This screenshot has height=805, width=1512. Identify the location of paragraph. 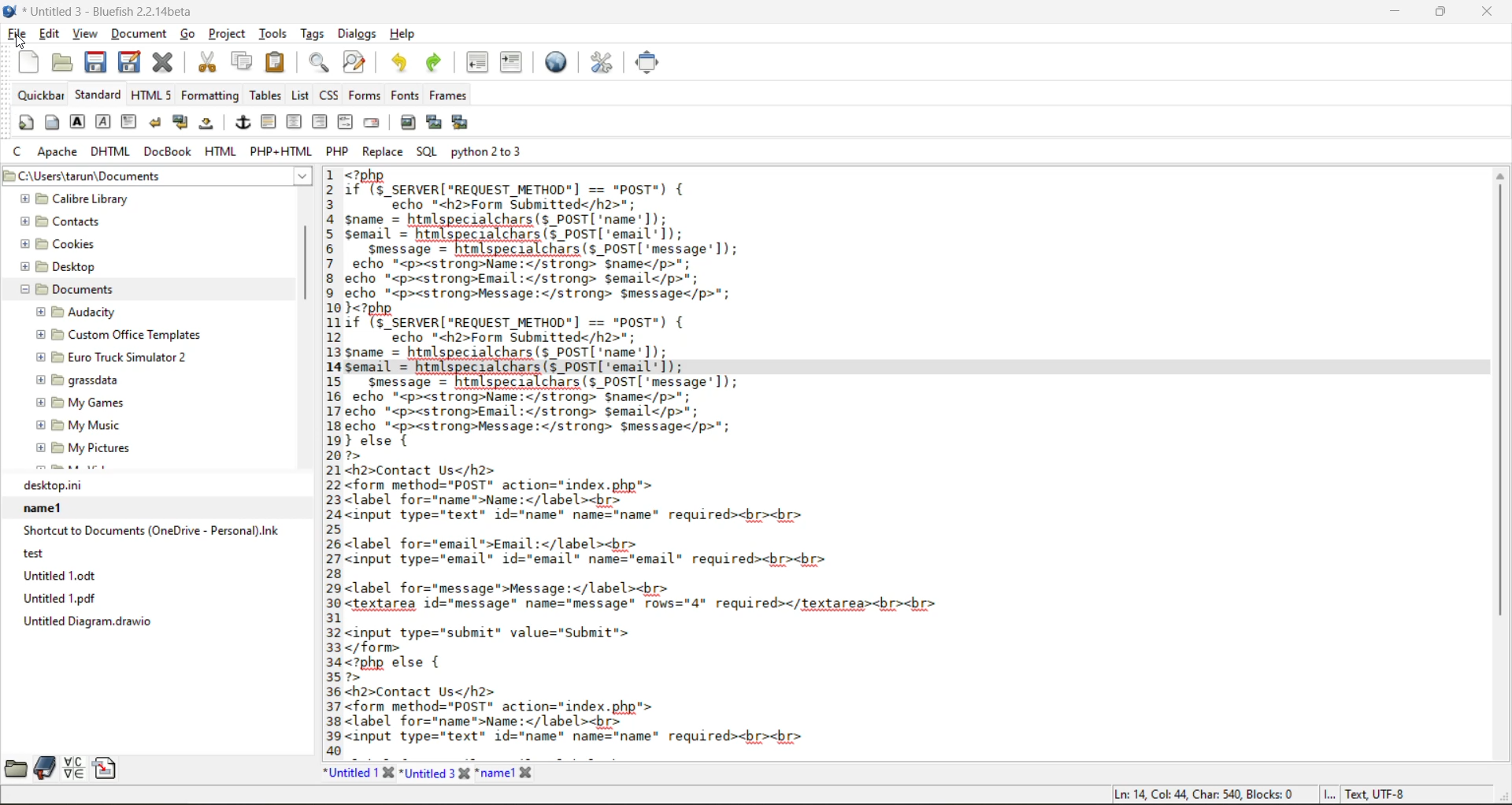
(130, 121).